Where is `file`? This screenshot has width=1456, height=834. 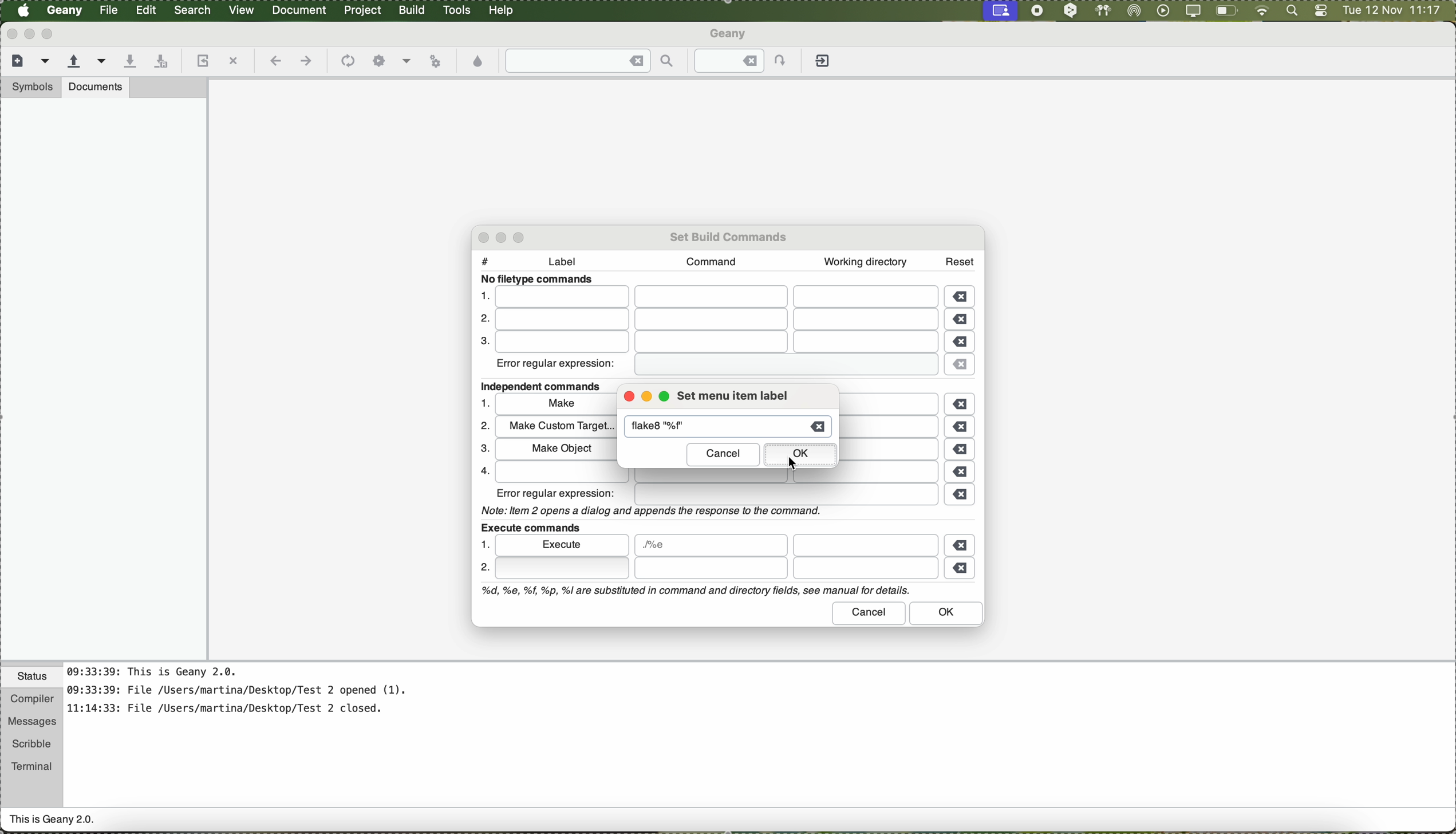
file is located at coordinates (897, 450).